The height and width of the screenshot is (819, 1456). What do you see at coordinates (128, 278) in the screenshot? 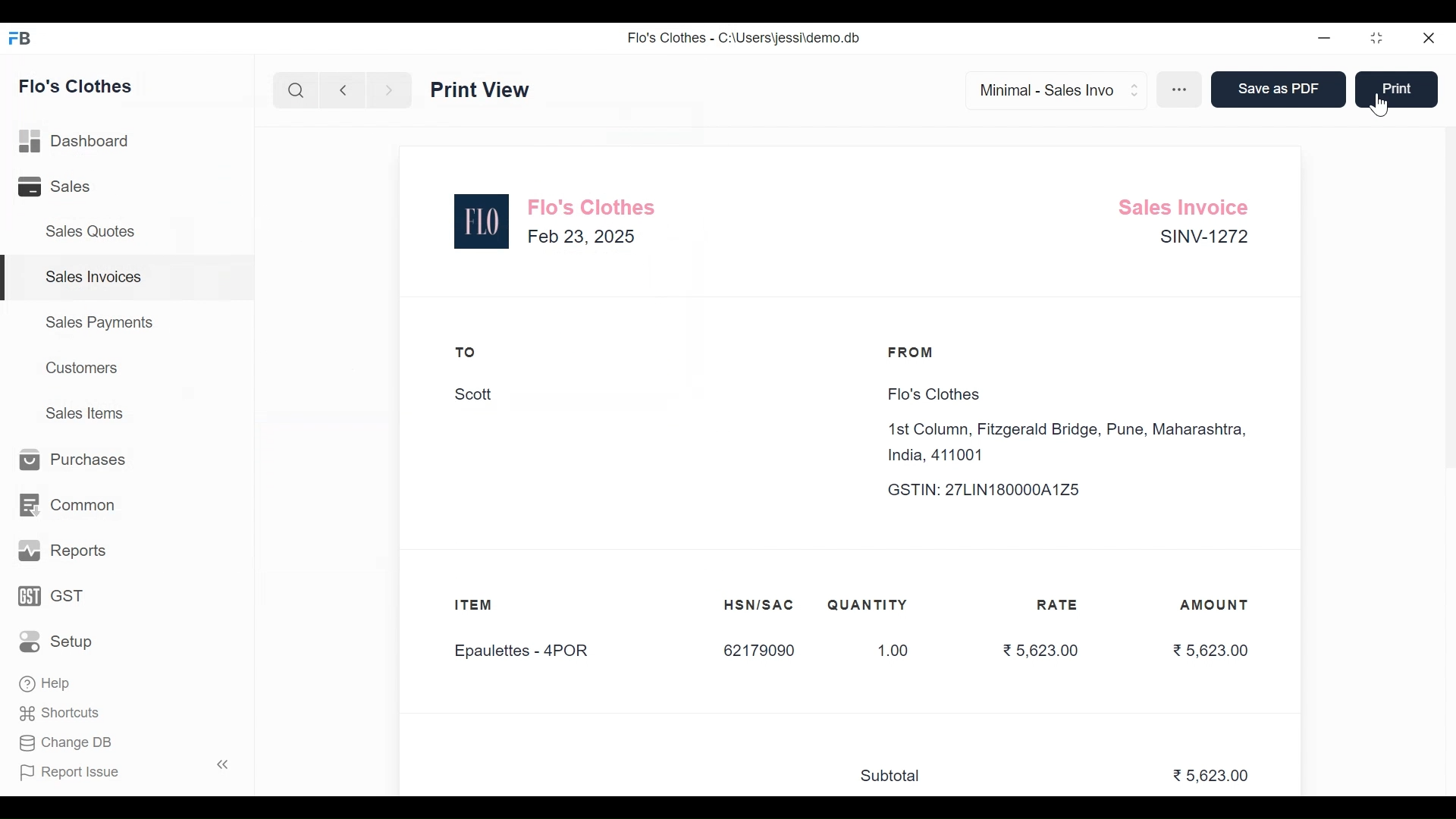
I see `Sales Invoices` at bounding box center [128, 278].